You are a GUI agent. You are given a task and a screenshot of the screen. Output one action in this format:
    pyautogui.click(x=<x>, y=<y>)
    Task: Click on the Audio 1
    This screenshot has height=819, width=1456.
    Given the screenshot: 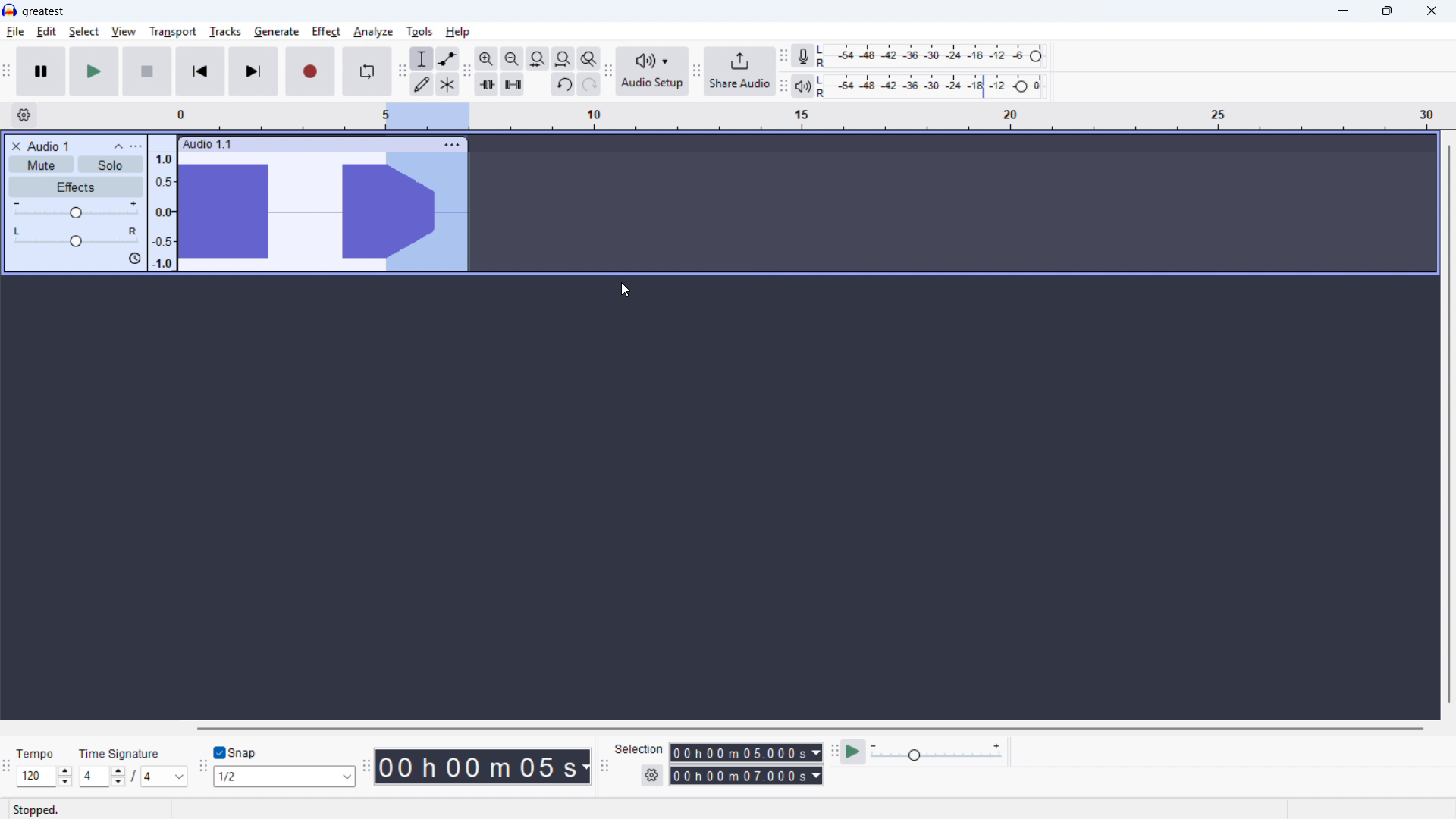 What is the action you would take?
    pyautogui.click(x=49, y=146)
    